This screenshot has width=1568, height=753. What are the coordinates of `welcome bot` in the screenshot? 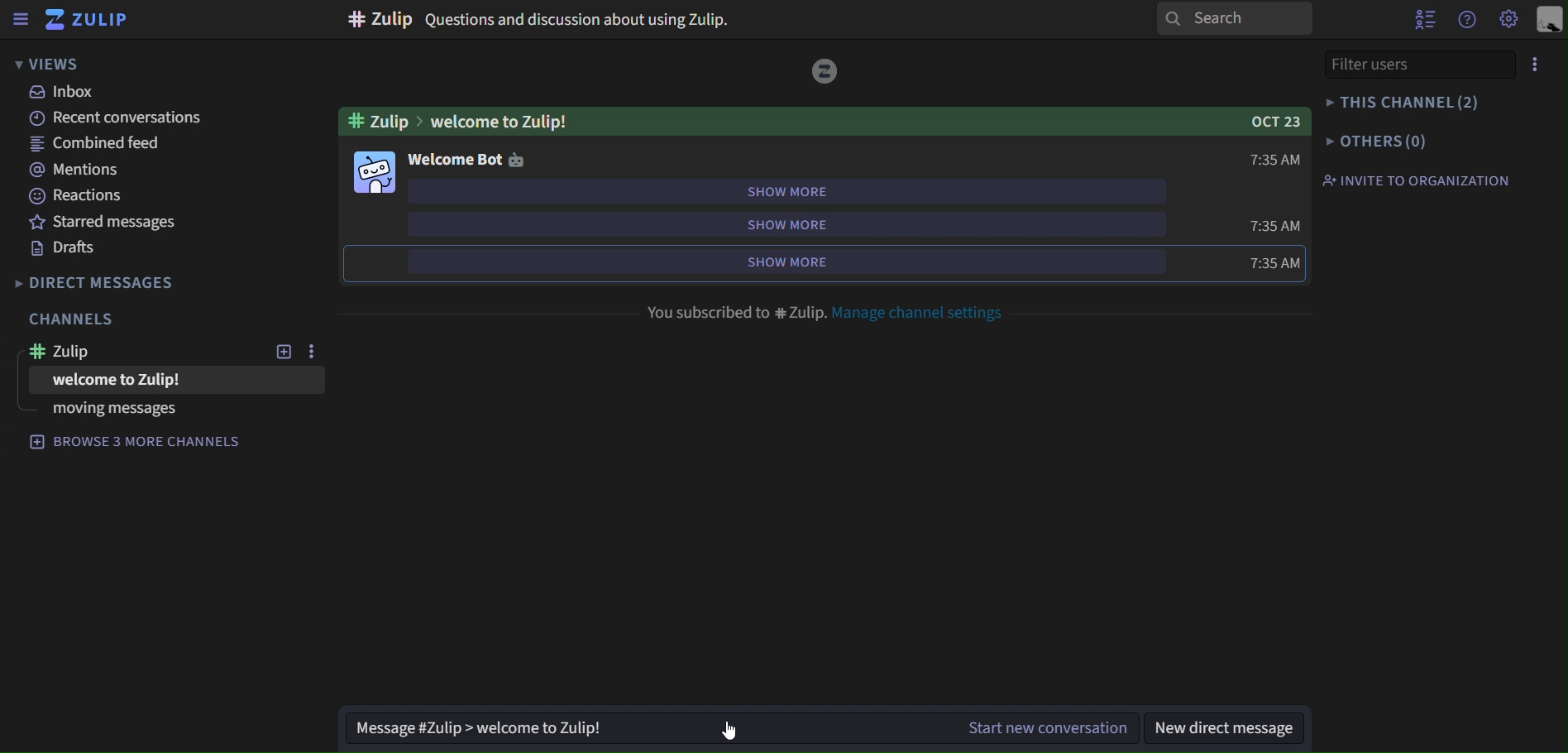 It's located at (468, 161).